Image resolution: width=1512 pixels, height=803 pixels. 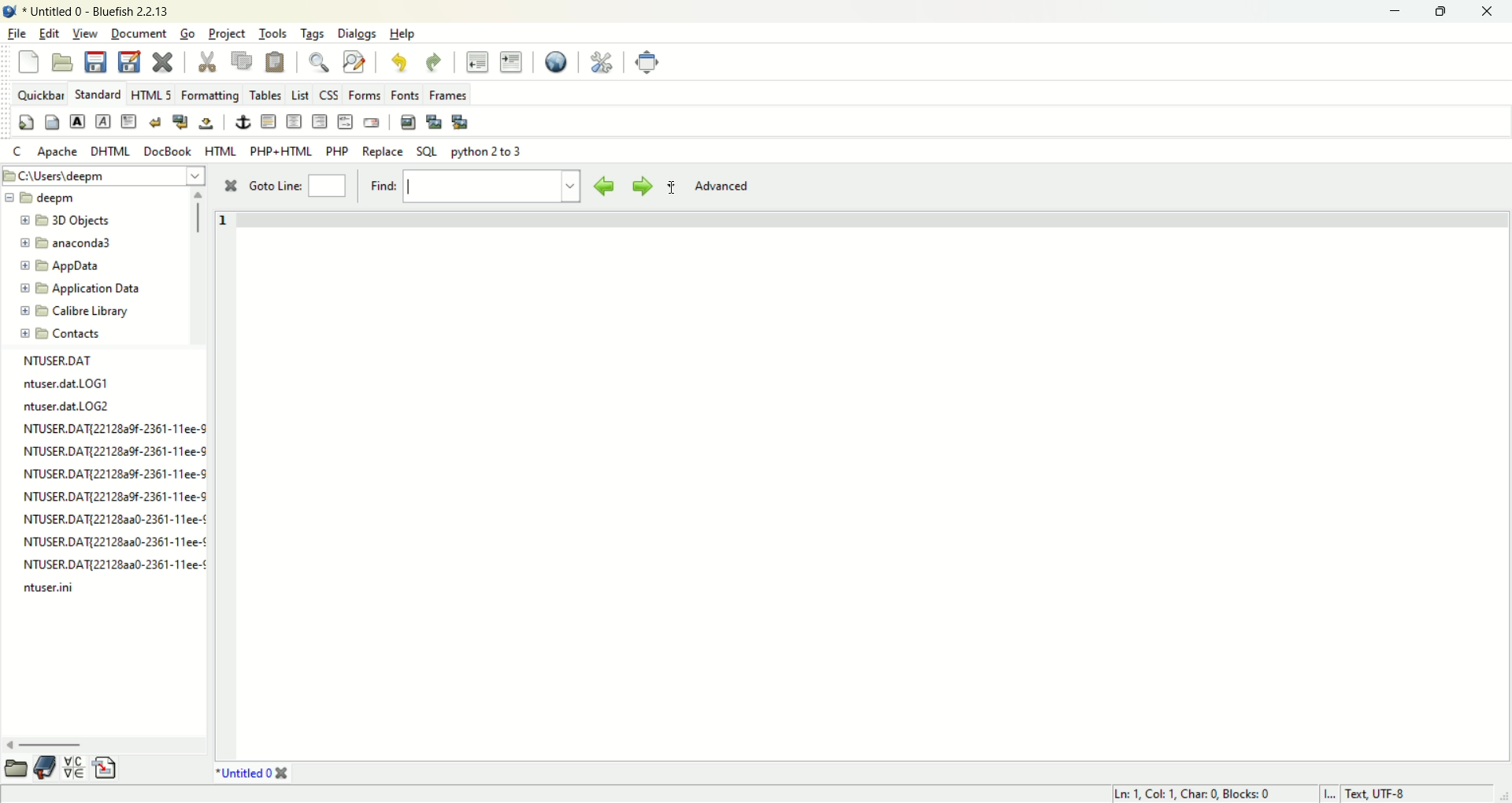 What do you see at coordinates (61, 334) in the screenshot?
I see `contacts` at bounding box center [61, 334].